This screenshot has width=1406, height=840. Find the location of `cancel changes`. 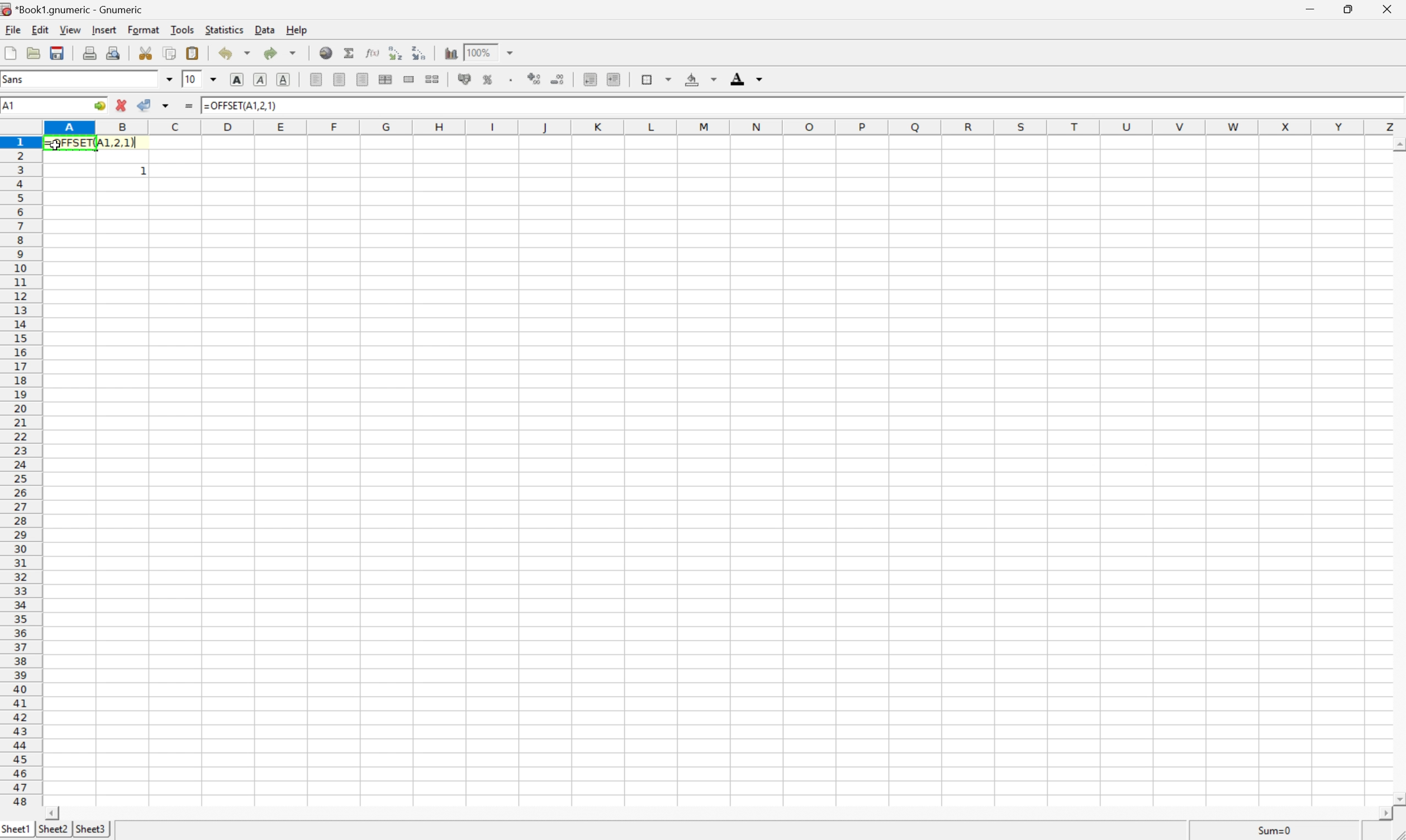

cancel changes is located at coordinates (123, 104).